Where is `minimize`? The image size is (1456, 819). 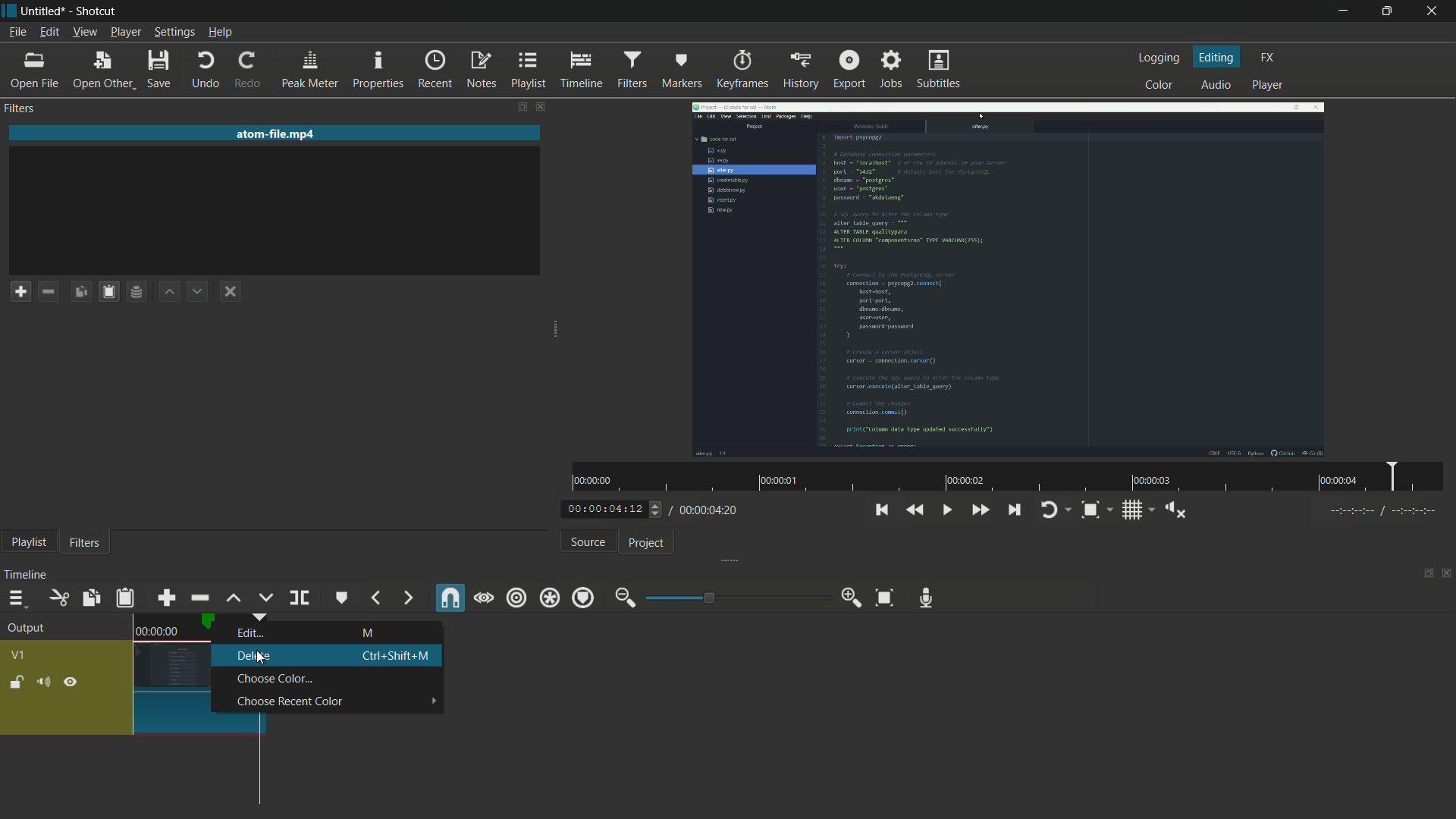
minimize is located at coordinates (1338, 11).